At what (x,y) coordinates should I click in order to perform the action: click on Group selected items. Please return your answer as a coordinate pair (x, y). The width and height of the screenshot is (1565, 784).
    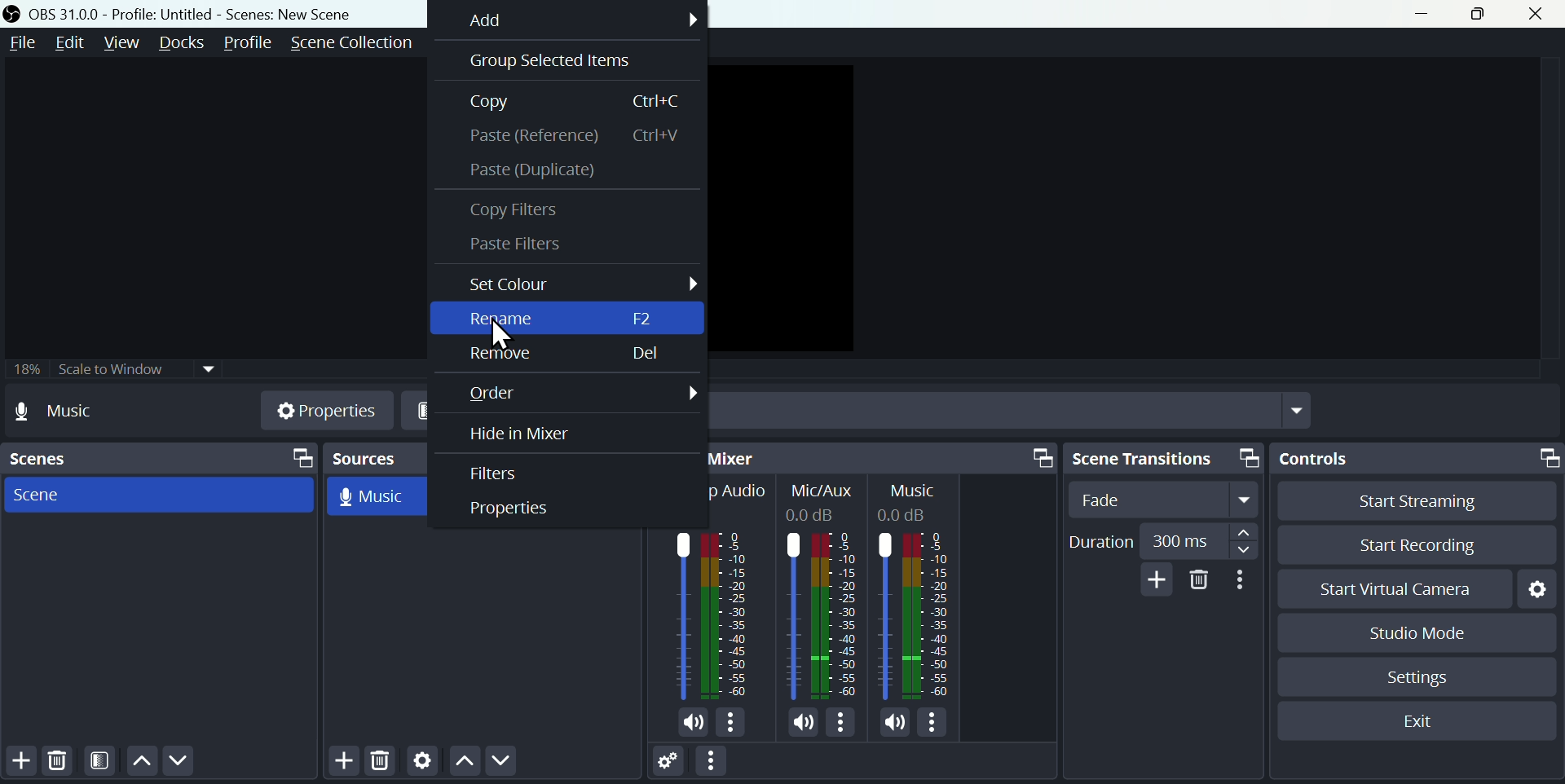
    Looking at the image, I should click on (565, 60).